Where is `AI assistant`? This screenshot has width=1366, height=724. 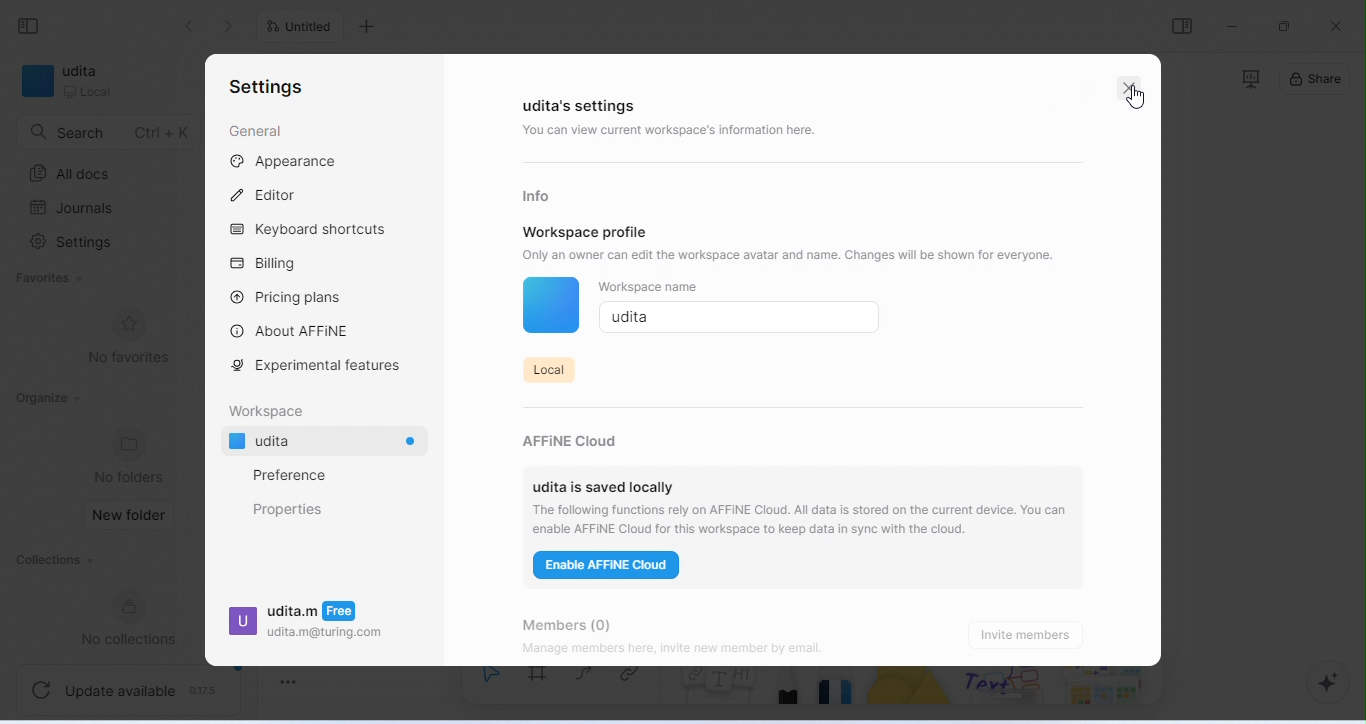 AI assistant is located at coordinates (1320, 683).